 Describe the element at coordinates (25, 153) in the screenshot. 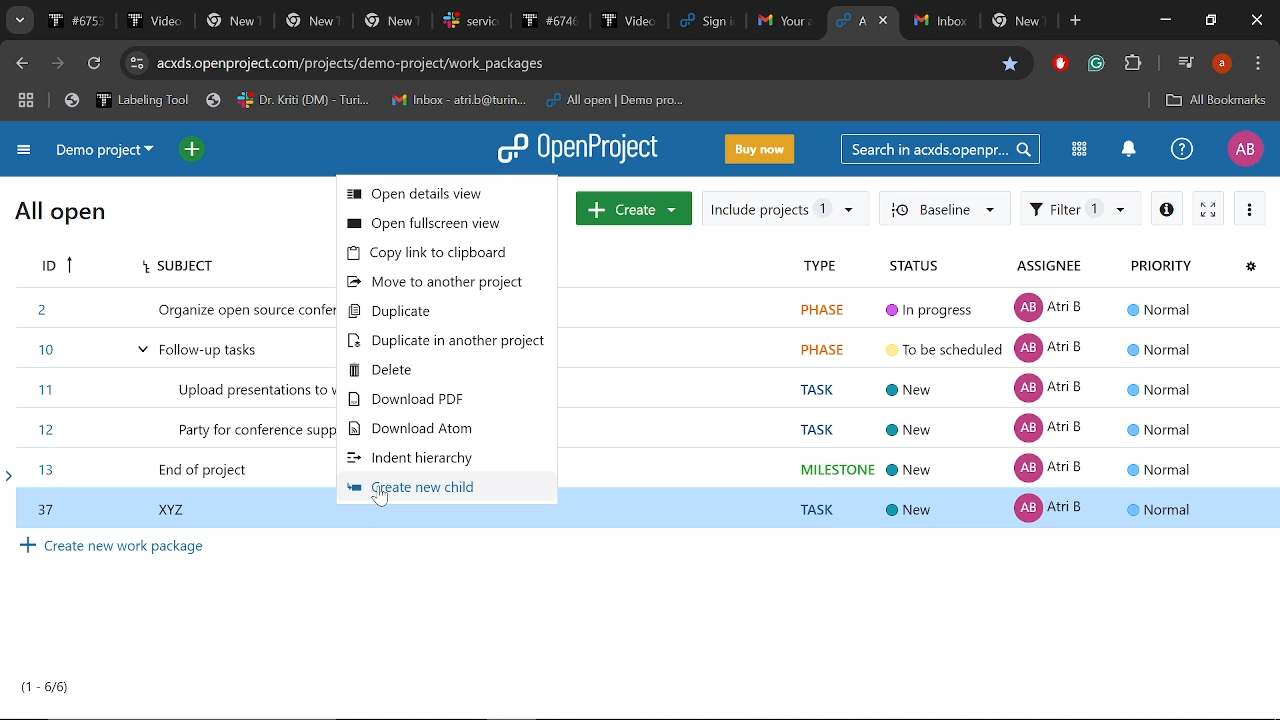

I see `Expand project menu` at that location.